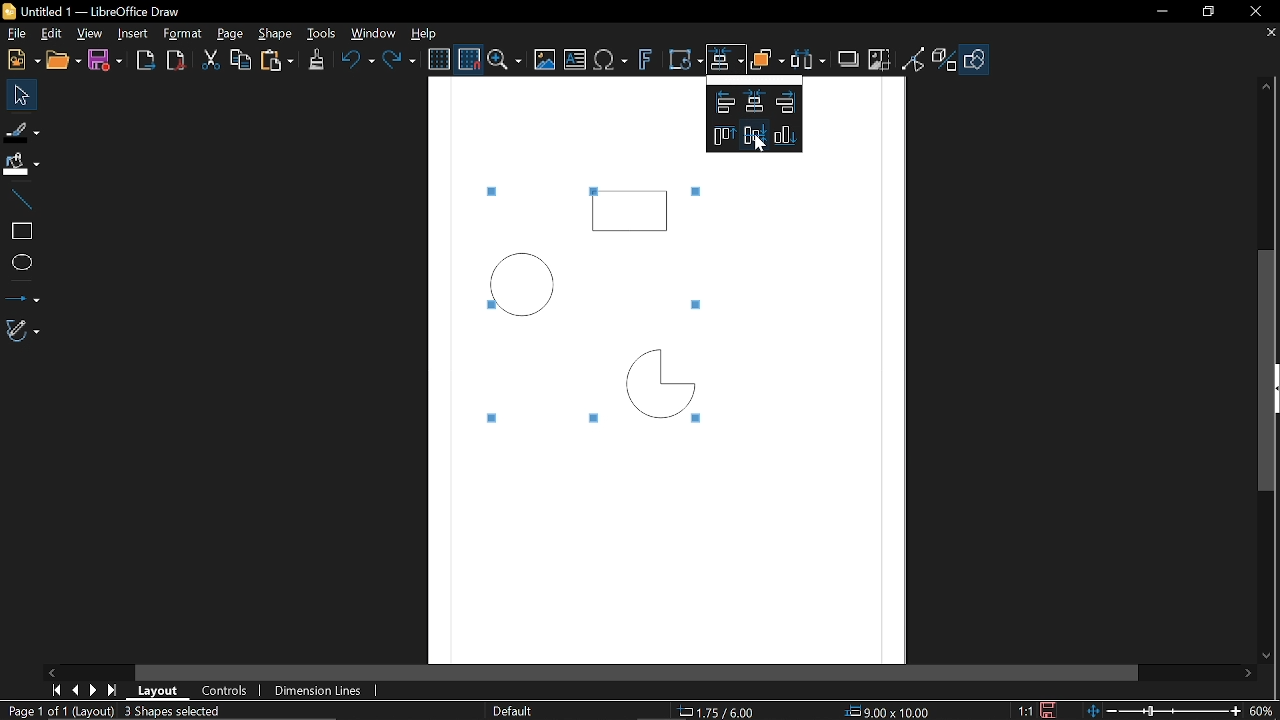 This screenshot has width=1280, height=720. Describe the element at coordinates (1208, 13) in the screenshot. I see `Restore down` at that location.